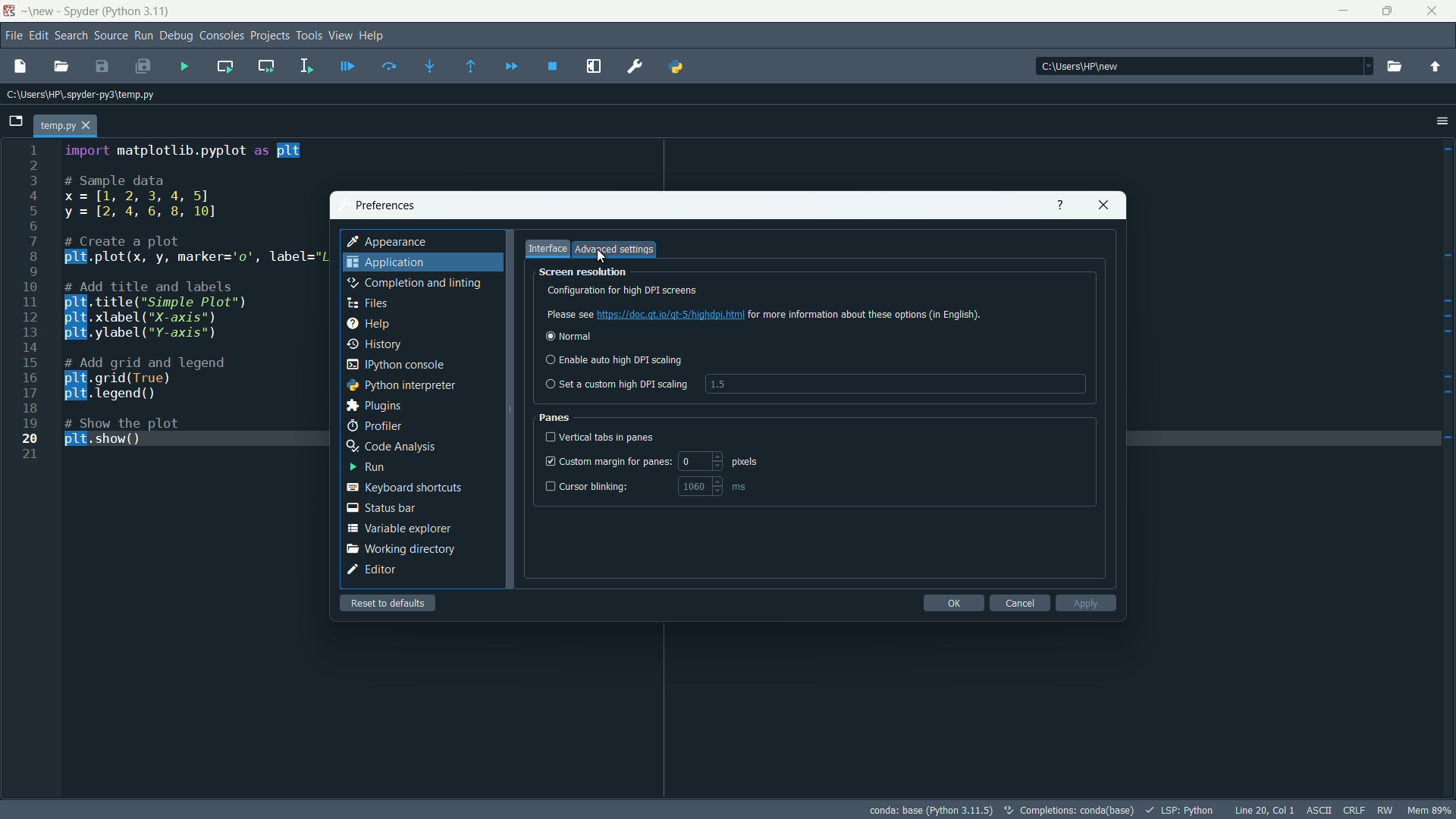 The image size is (1456, 819). Describe the element at coordinates (368, 324) in the screenshot. I see `help` at that location.